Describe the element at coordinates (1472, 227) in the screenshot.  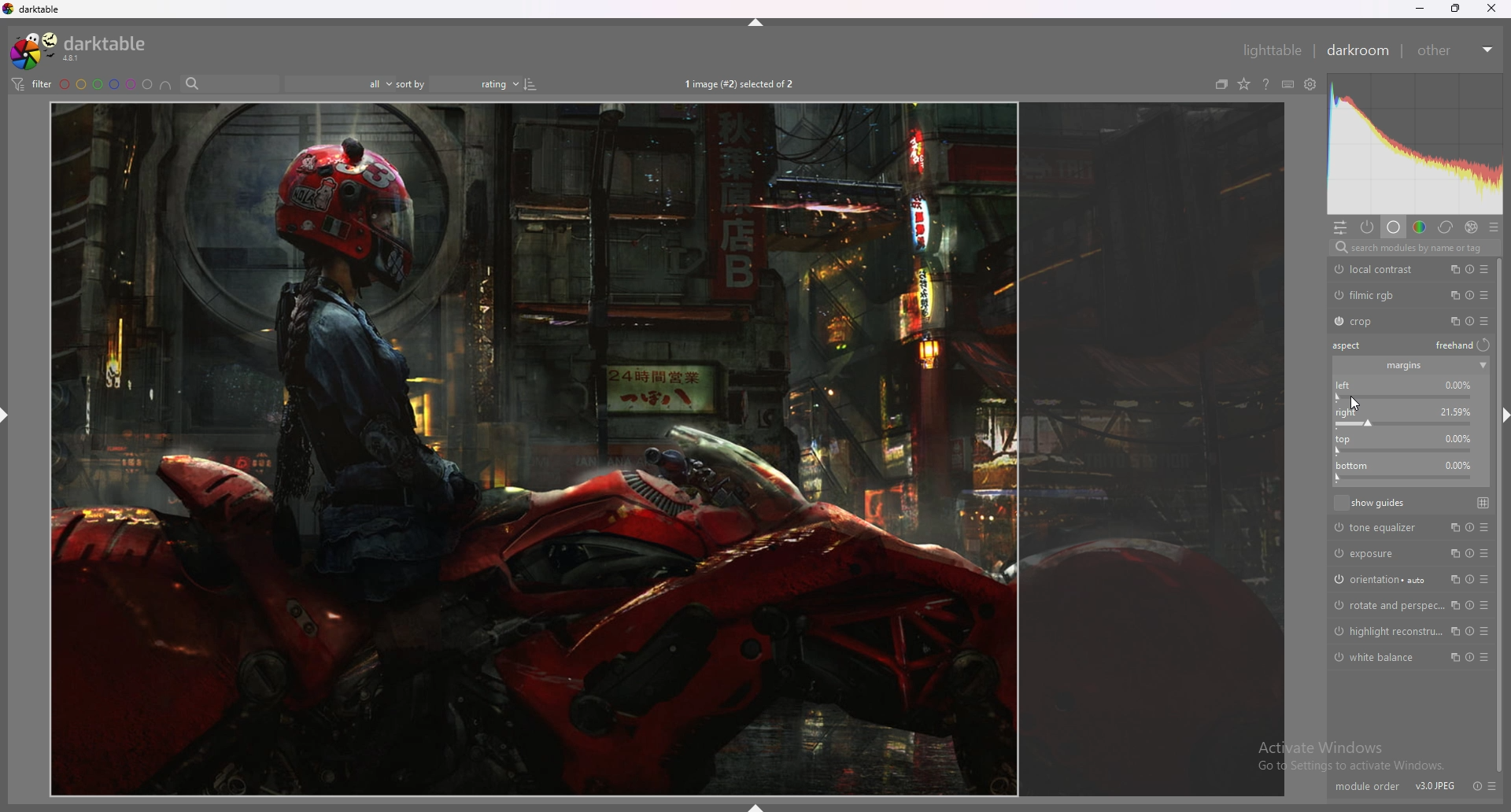
I see `effect` at that location.